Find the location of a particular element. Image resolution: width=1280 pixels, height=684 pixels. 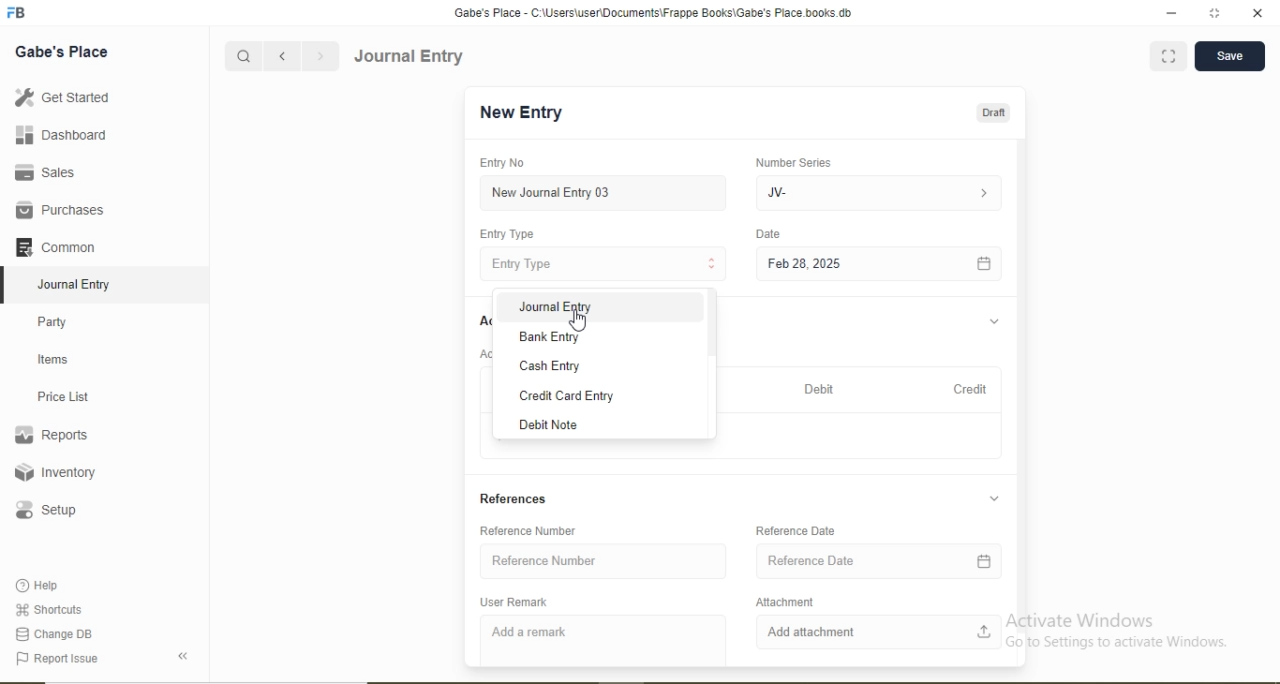

Dropdown is located at coordinates (994, 498).